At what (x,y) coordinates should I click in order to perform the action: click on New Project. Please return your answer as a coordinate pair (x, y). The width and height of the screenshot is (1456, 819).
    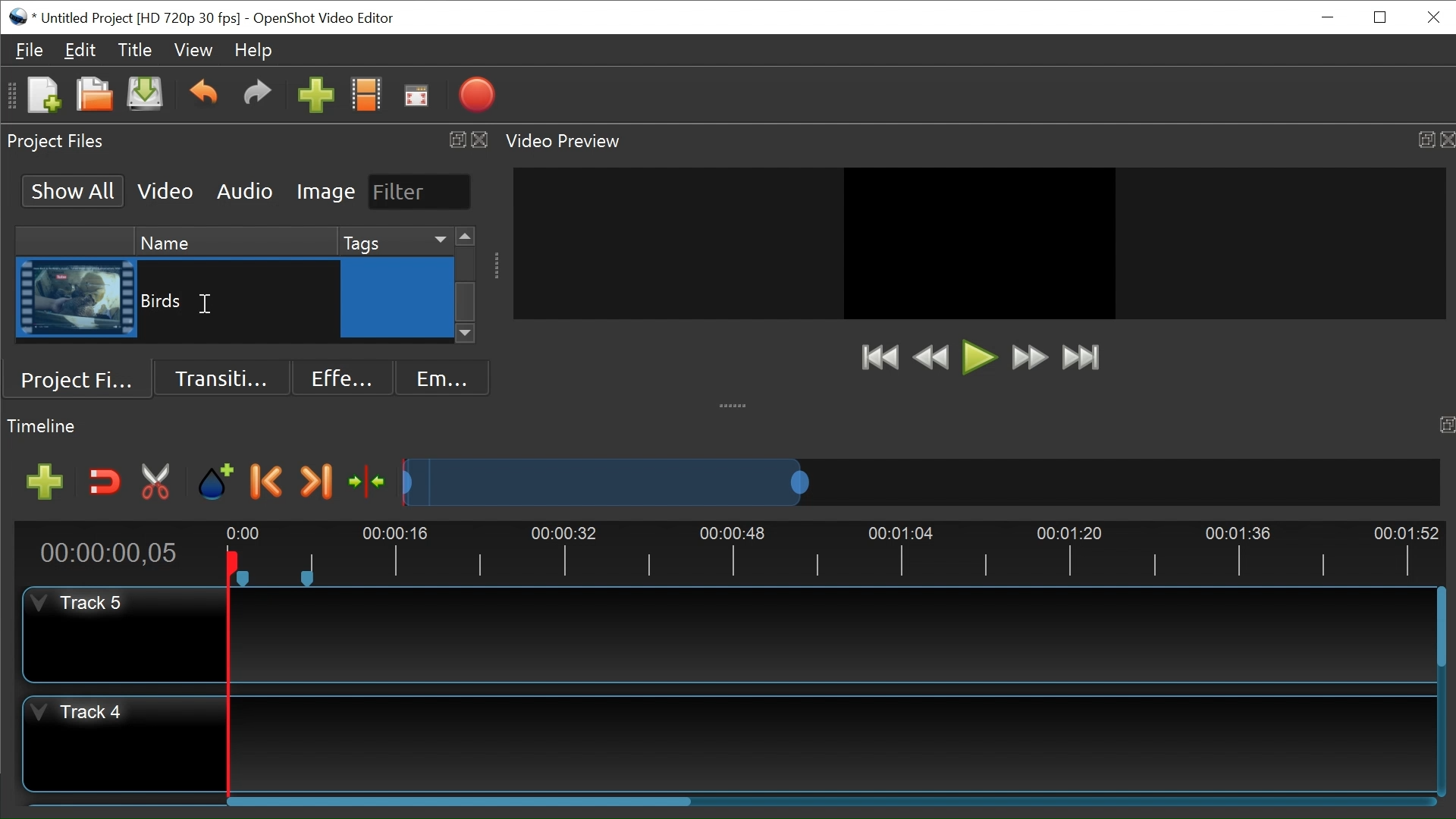
    Looking at the image, I should click on (42, 96).